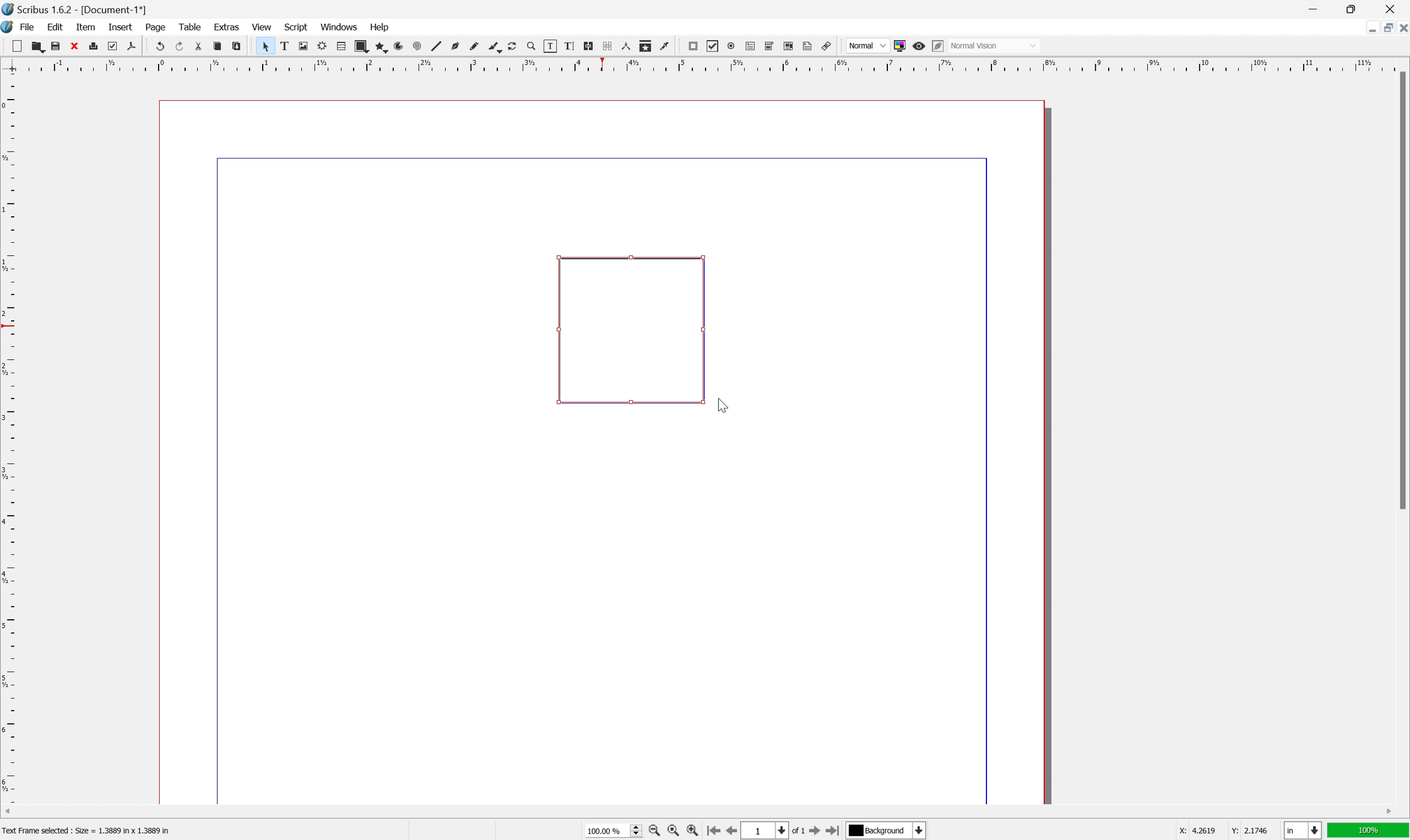 This screenshot has width=1410, height=840. Describe the element at coordinates (474, 47) in the screenshot. I see `freehand line` at that location.